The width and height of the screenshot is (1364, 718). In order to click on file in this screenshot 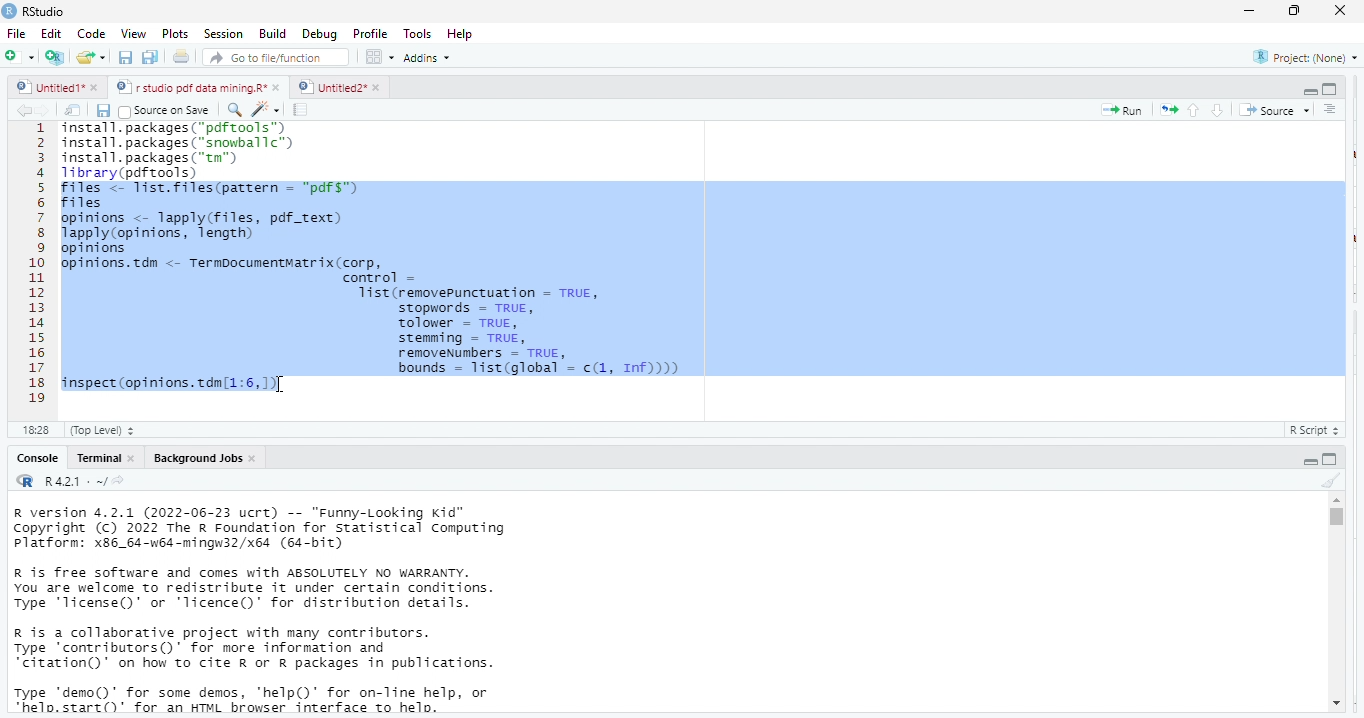, I will do `click(18, 33)`.